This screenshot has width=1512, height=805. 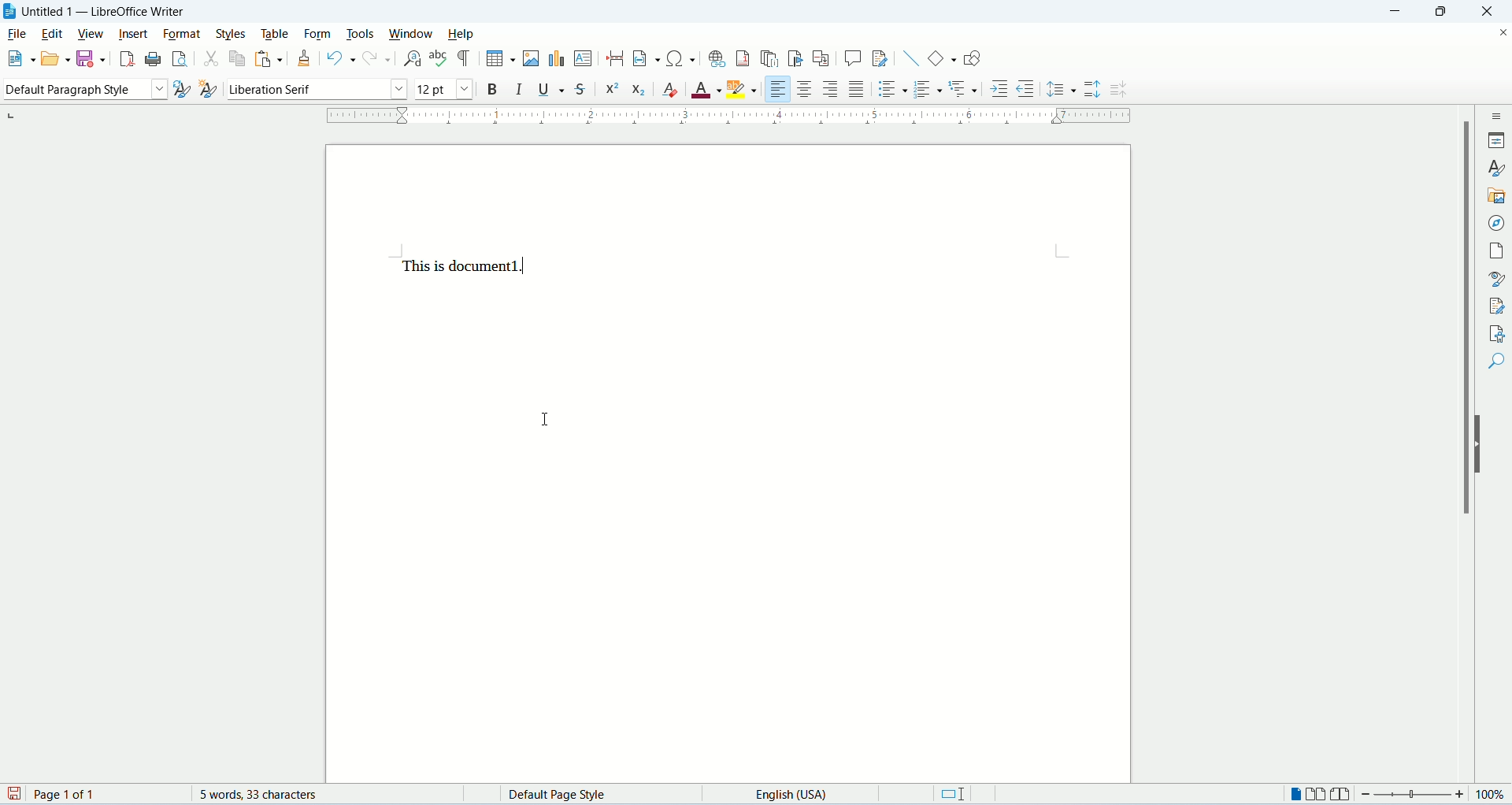 What do you see at coordinates (442, 88) in the screenshot?
I see `font size` at bounding box center [442, 88].